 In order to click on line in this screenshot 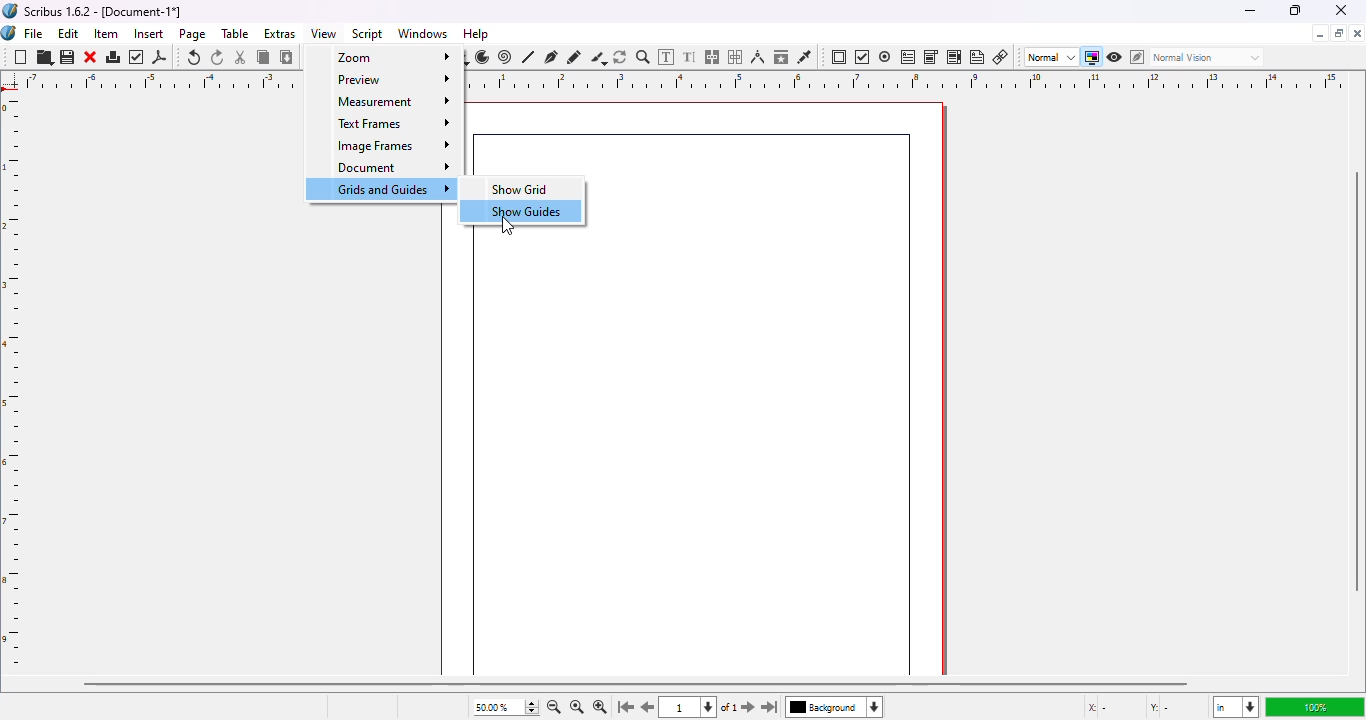, I will do `click(529, 57)`.